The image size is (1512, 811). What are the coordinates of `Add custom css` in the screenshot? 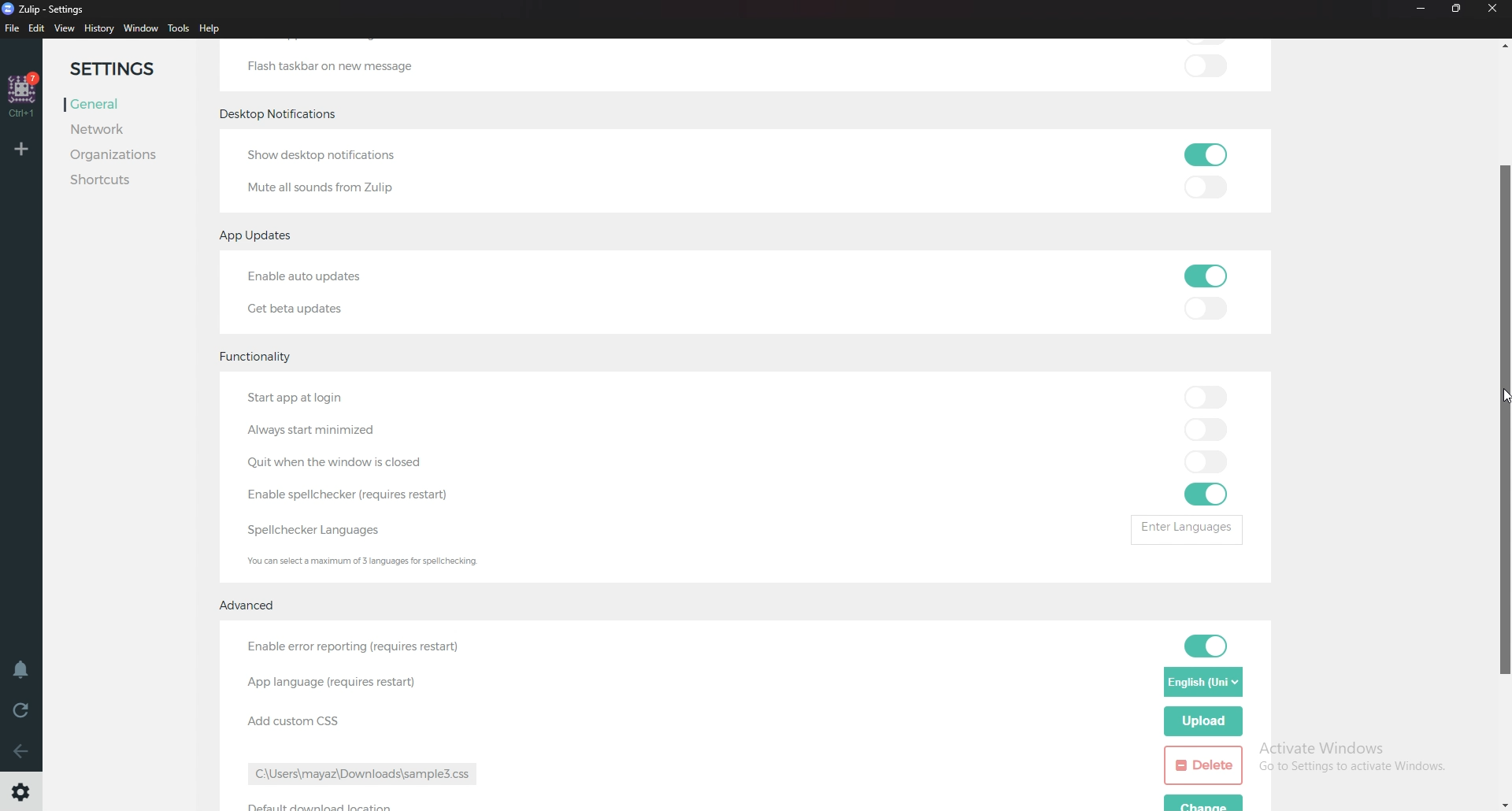 It's located at (291, 723).